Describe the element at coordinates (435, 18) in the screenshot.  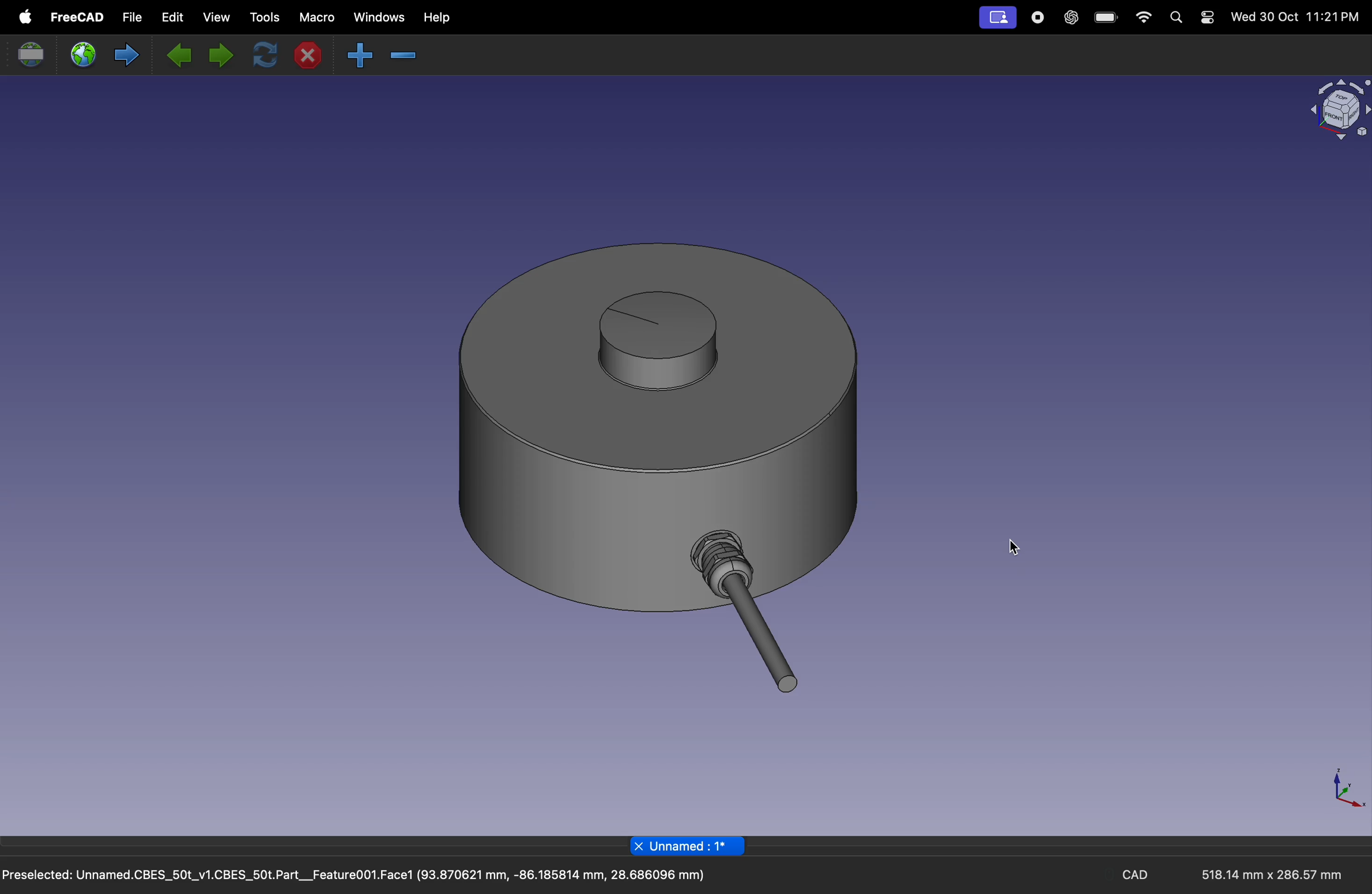
I see `help` at that location.